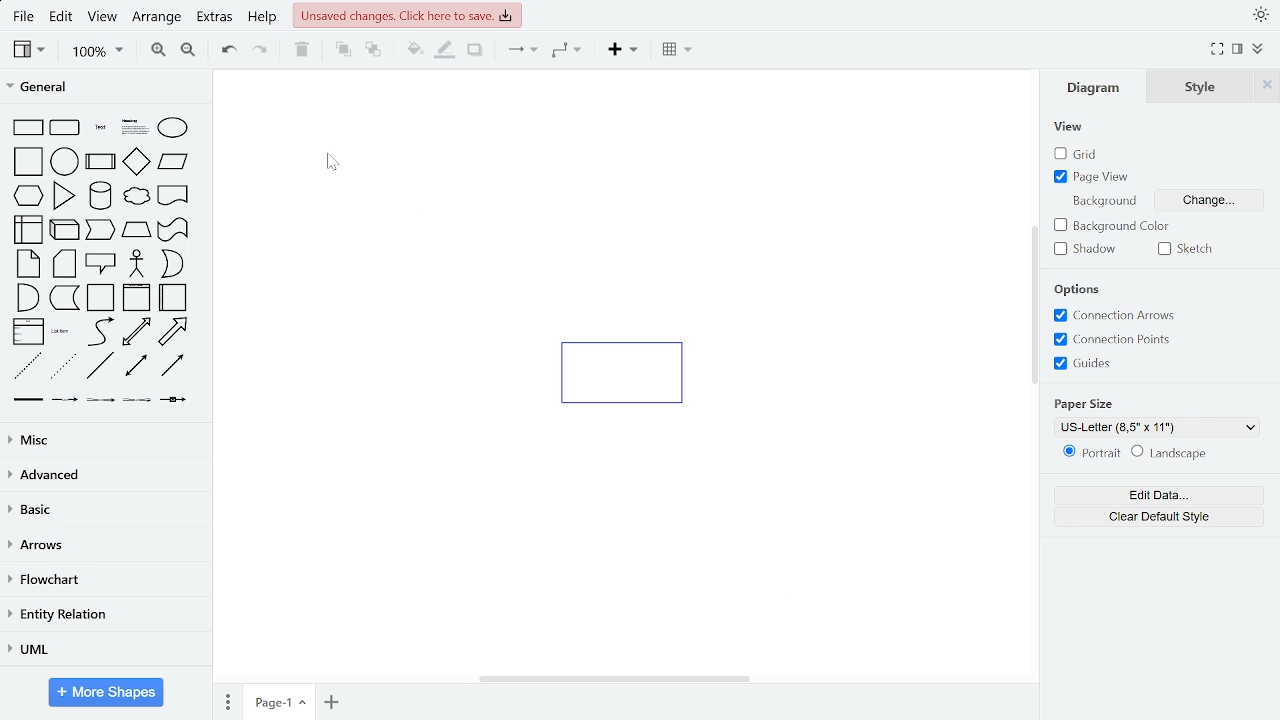 The width and height of the screenshot is (1280, 720). What do you see at coordinates (1070, 127) in the screenshot?
I see `view` at bounding box center [1070, 127].